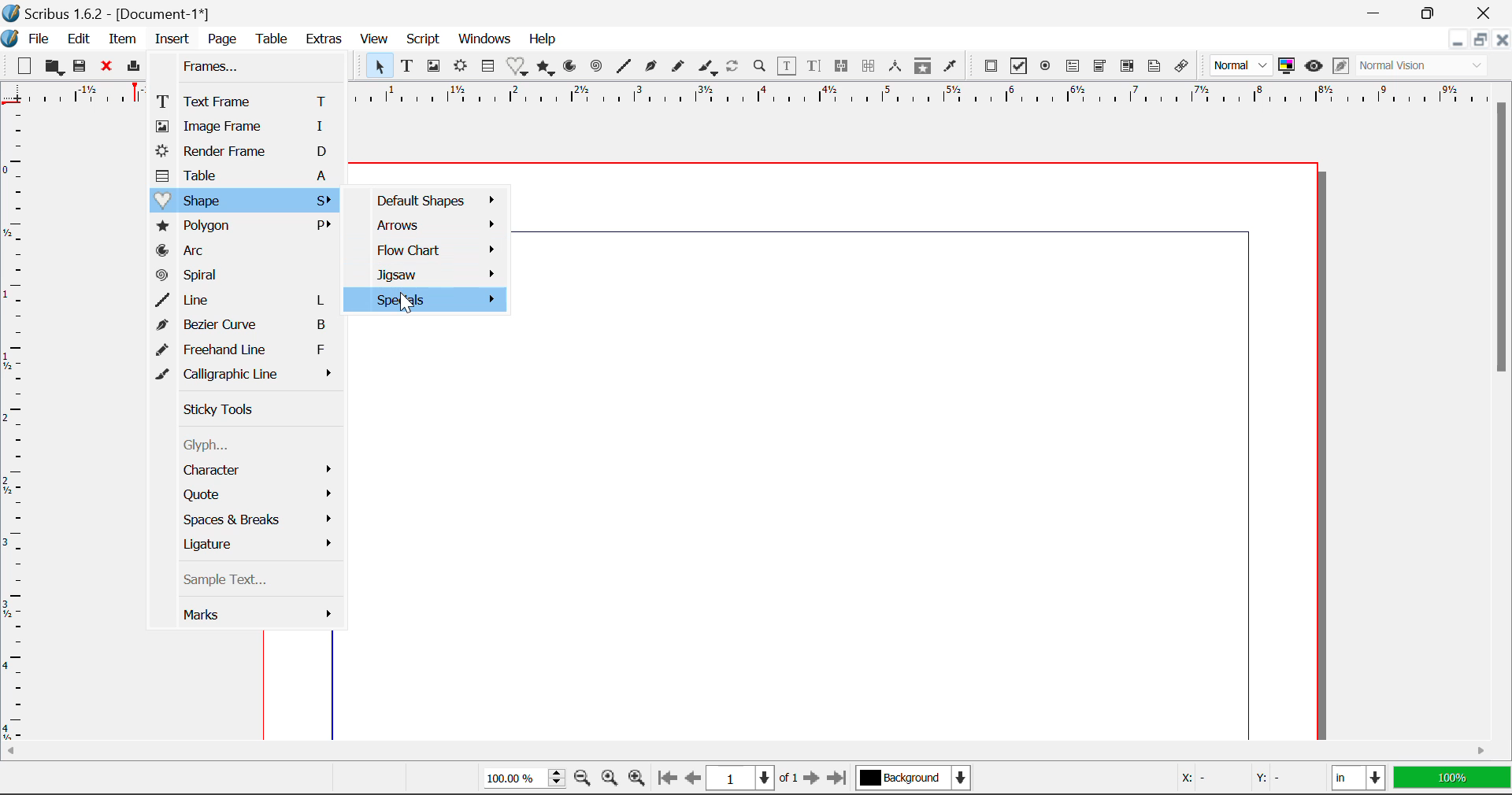  I want to click on Preview Mode, so click(1314, 68).